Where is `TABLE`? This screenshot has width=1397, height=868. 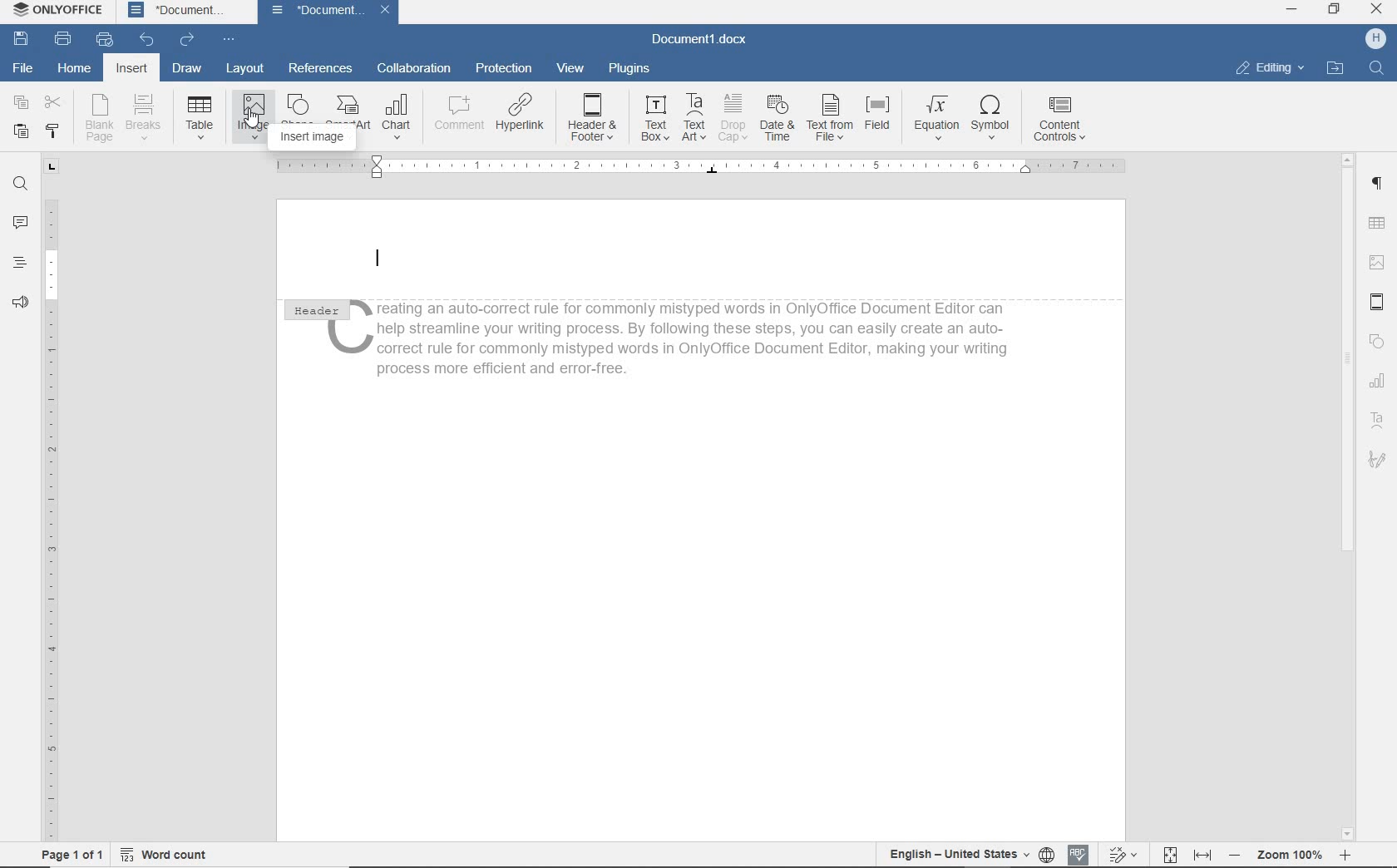
TABLE is located at coordinates (200, 121).